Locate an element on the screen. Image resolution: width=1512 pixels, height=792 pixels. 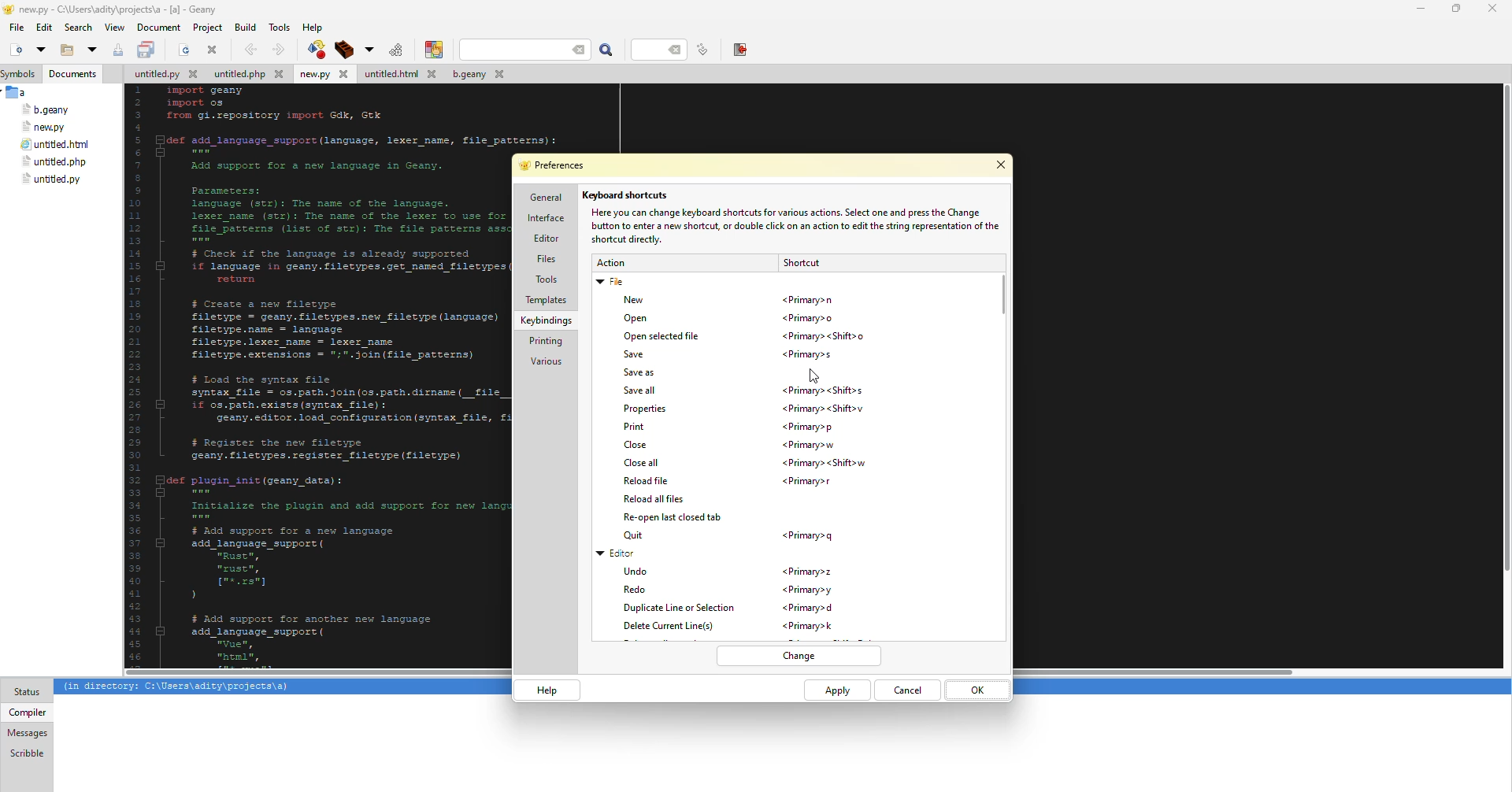
open is located at coordinates (63, 51).